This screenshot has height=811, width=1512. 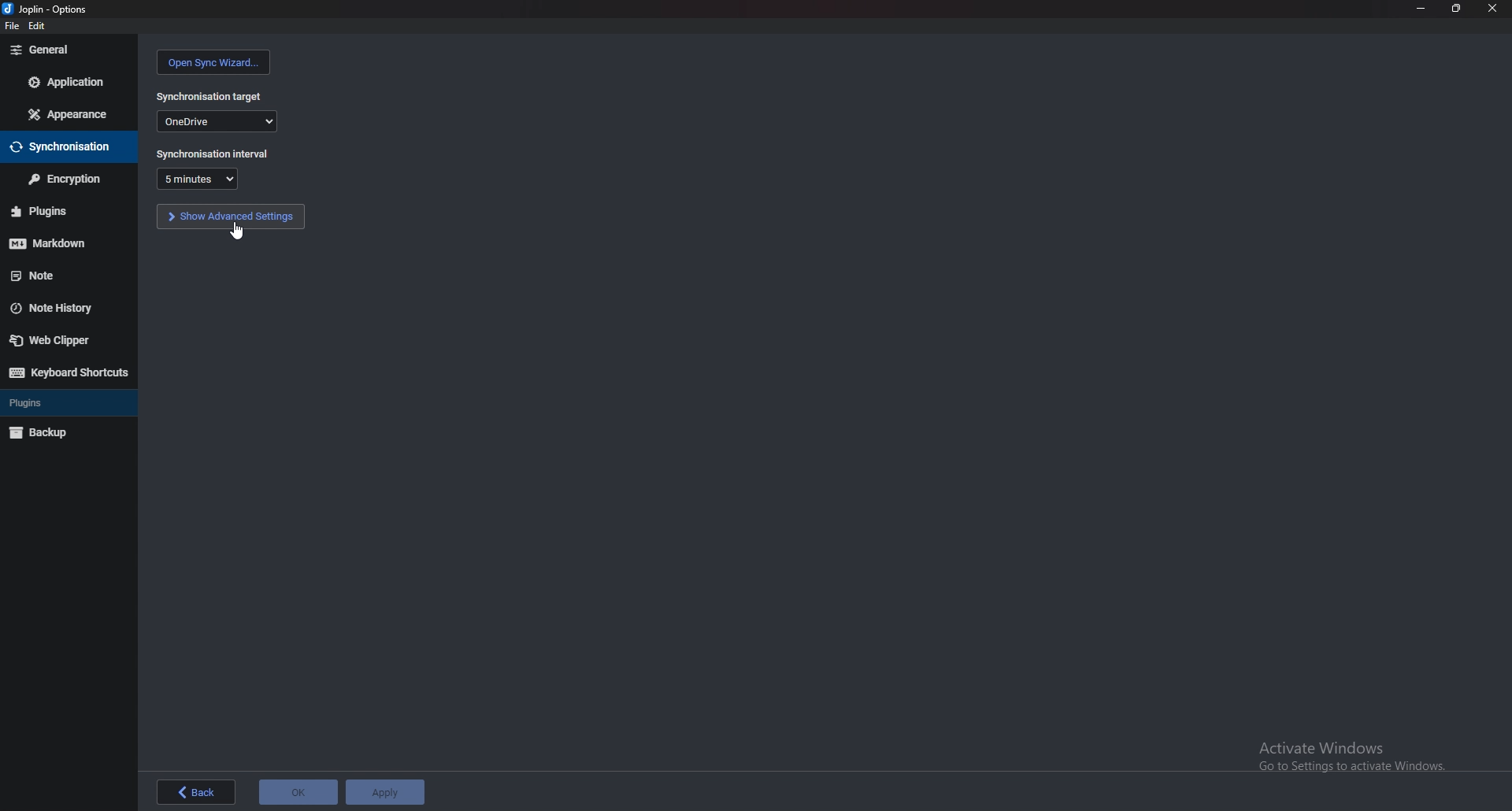 I want to click on keyboard, so click(x=68, y=371).